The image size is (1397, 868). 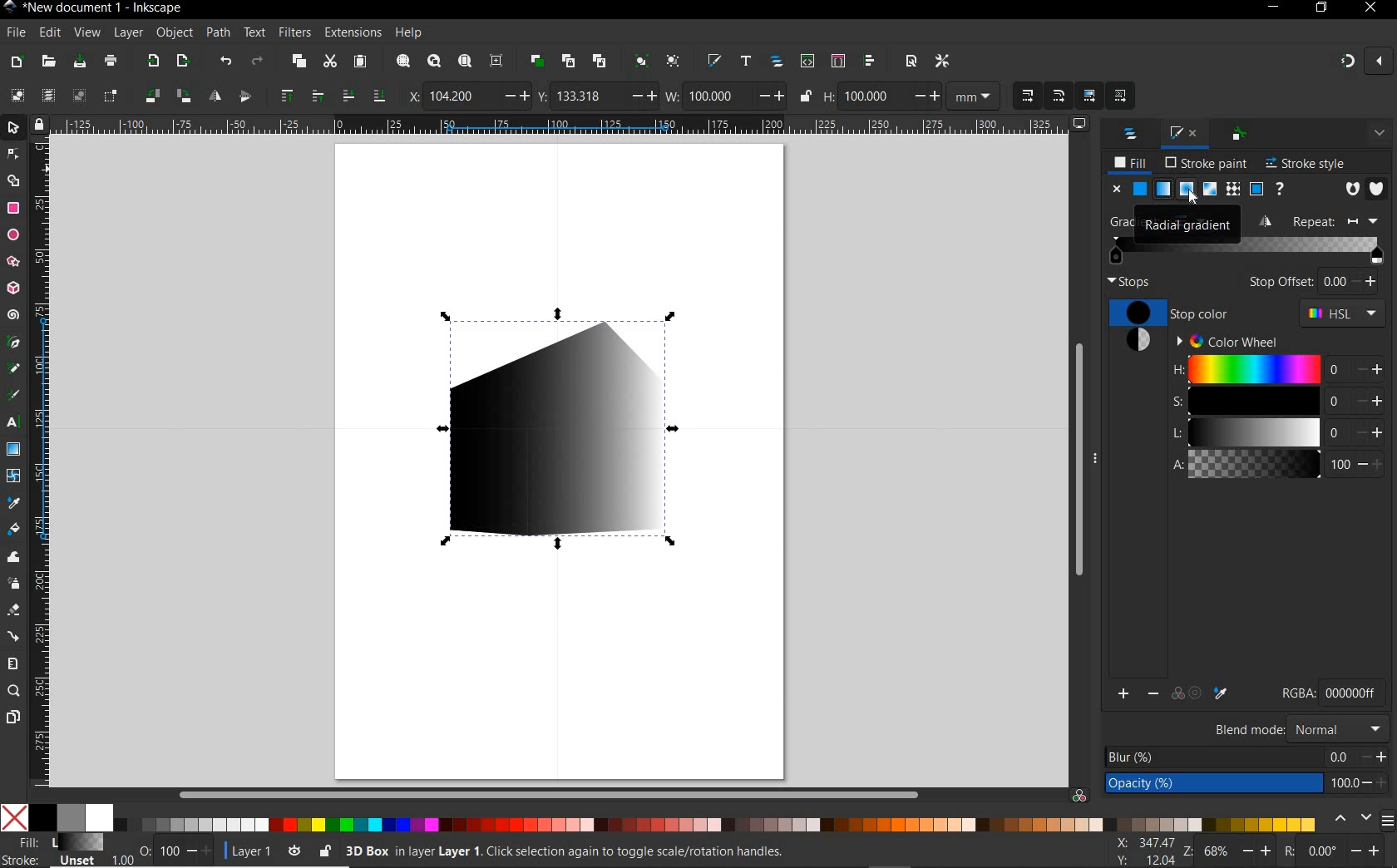 I want to click on MOVE GRADIENTS, so click(x=1088, y=95).